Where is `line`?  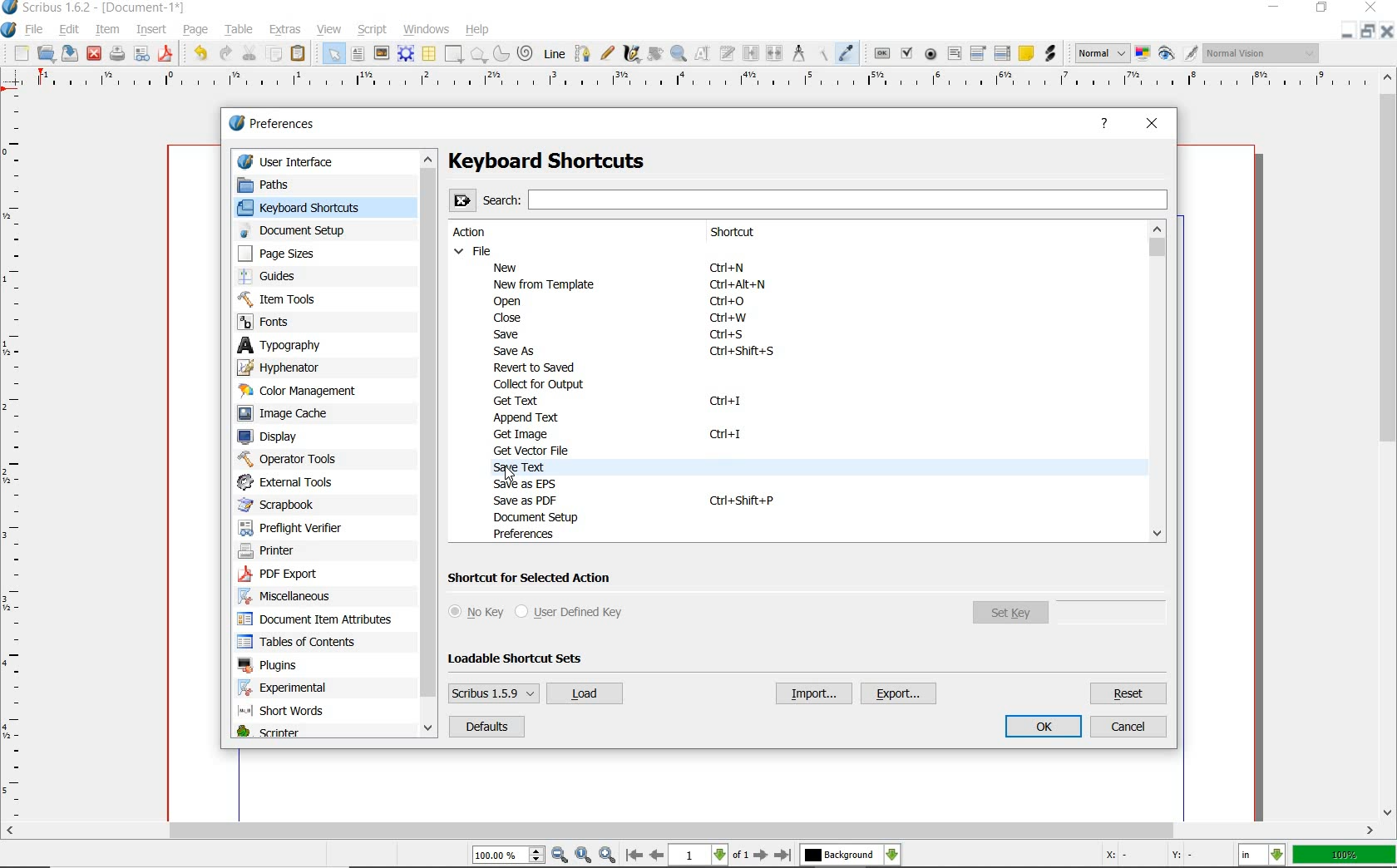
line is located at coordinates (553, 54).